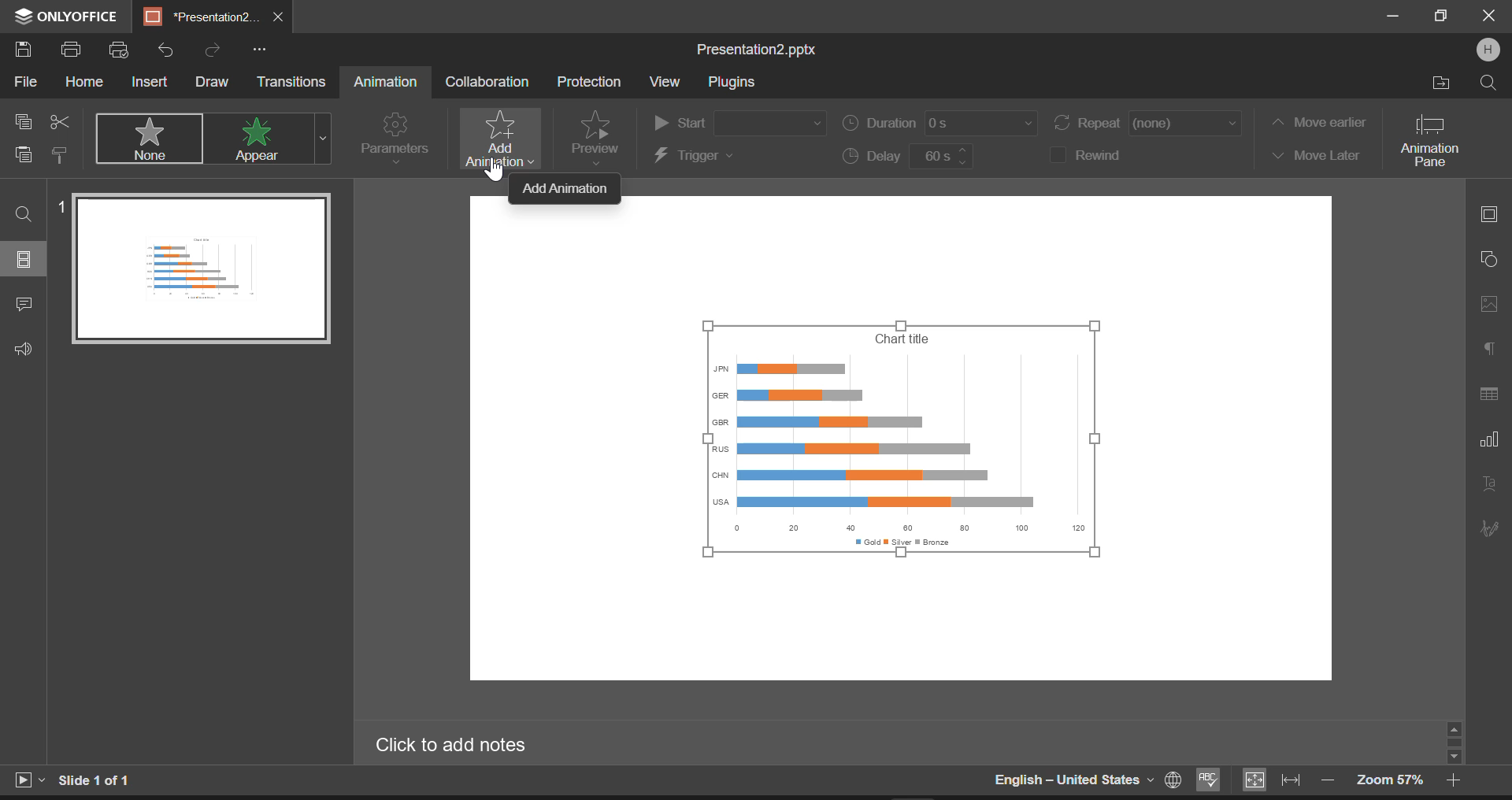  What do you see at coordinates (60, 119) in the screenshot?
I see `Cut` at bounding box center [60, 119].